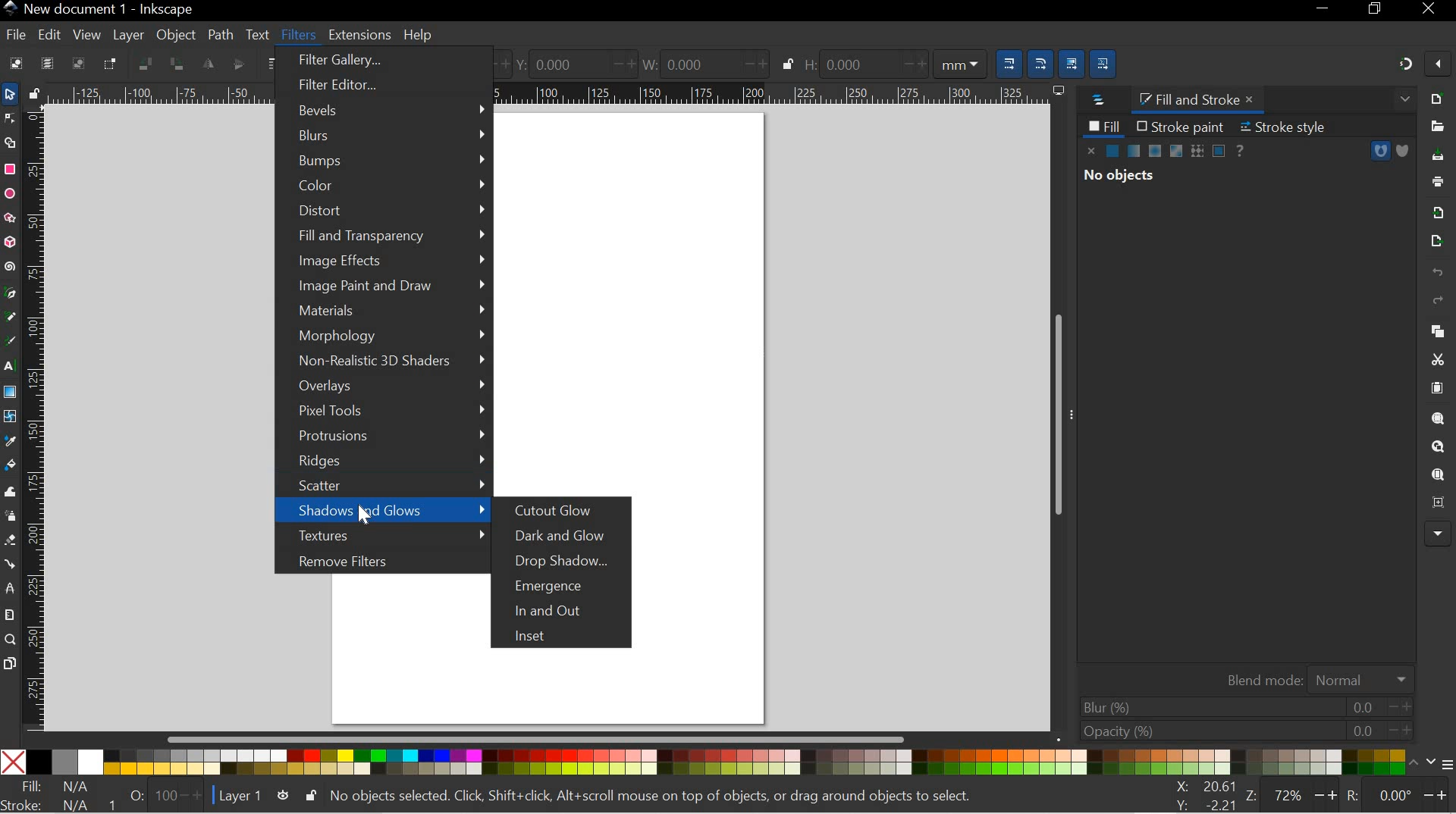  What do you see at coordinates (1434, 127) in the screenshot?
I see `OPEN FILE DIALOG` at bounding box center [1434, 127].